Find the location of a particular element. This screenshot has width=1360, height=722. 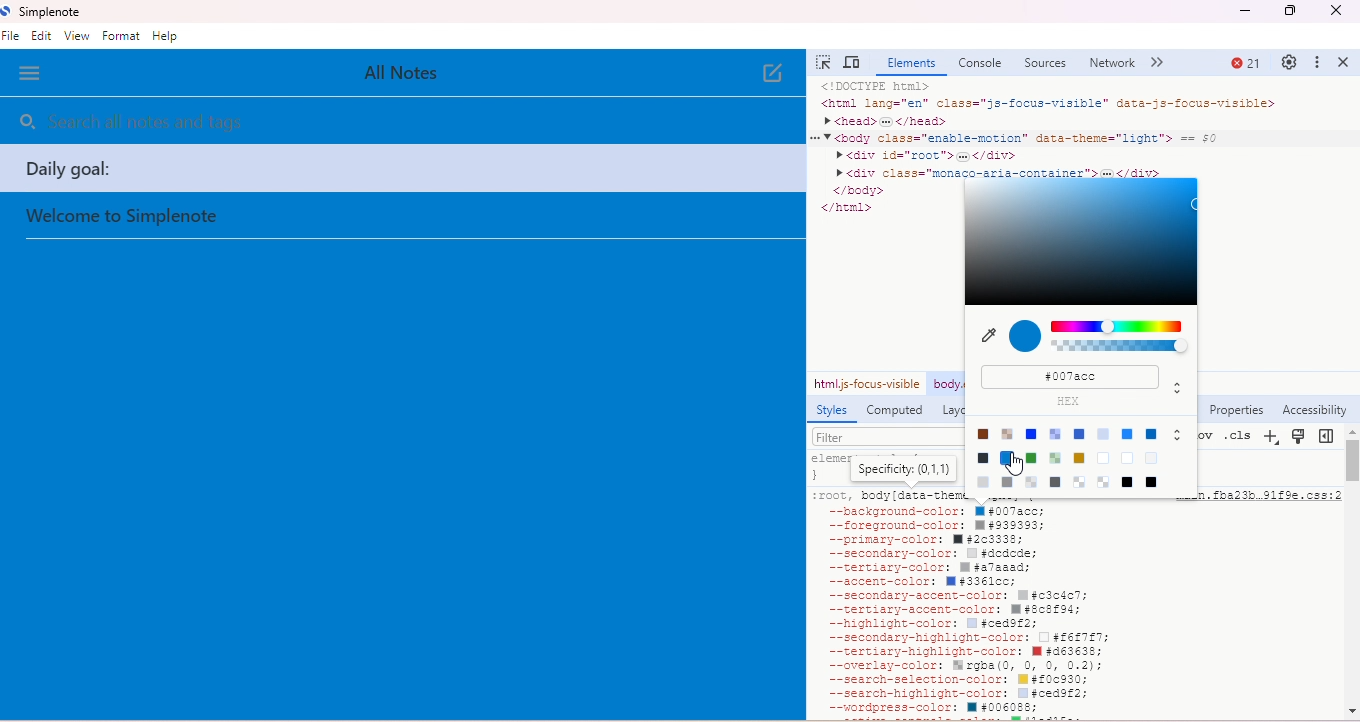

filter is located at coordinates (887, 436).